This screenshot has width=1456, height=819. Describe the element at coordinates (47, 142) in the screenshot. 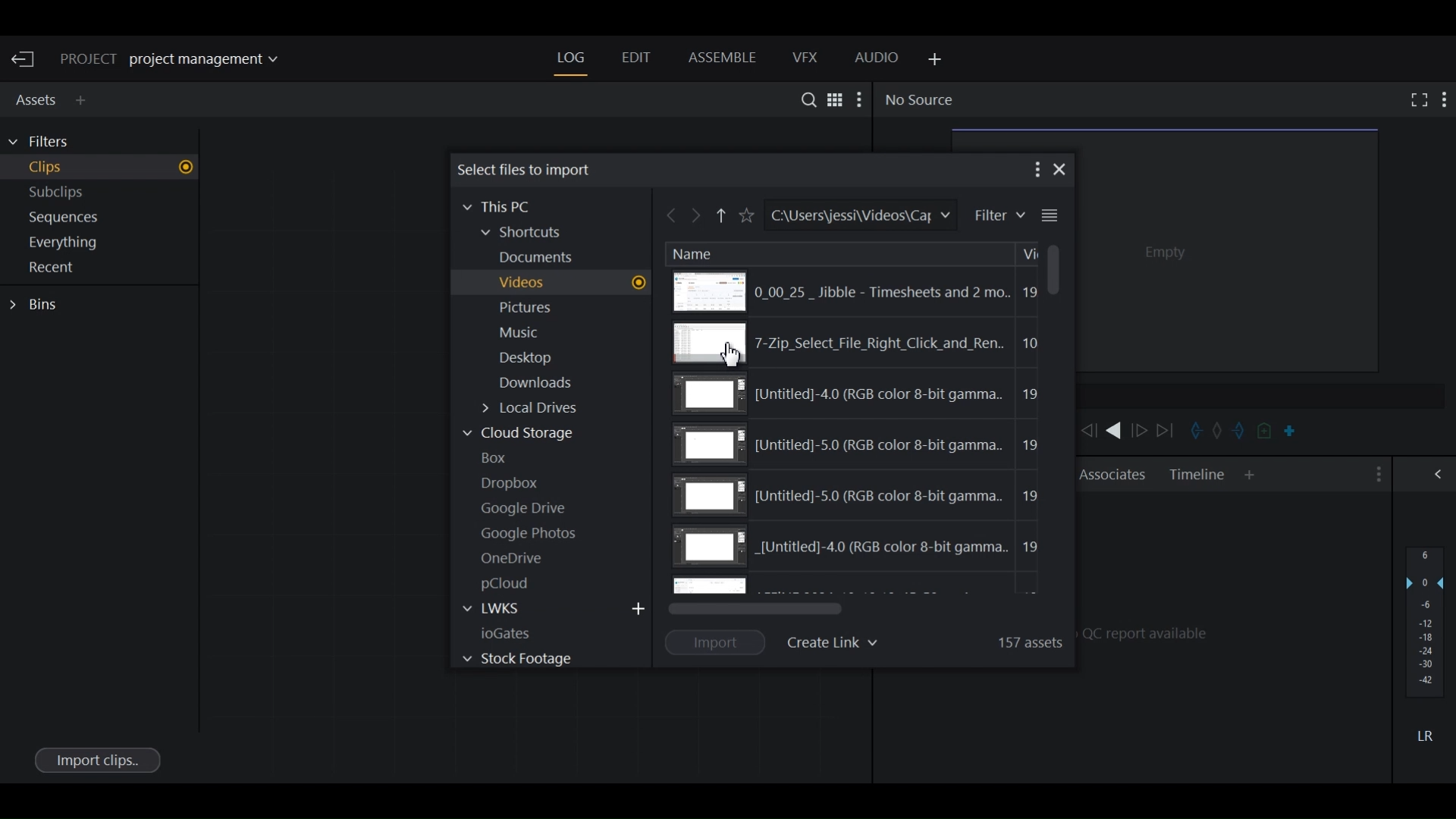

I see `Filters` at that location.